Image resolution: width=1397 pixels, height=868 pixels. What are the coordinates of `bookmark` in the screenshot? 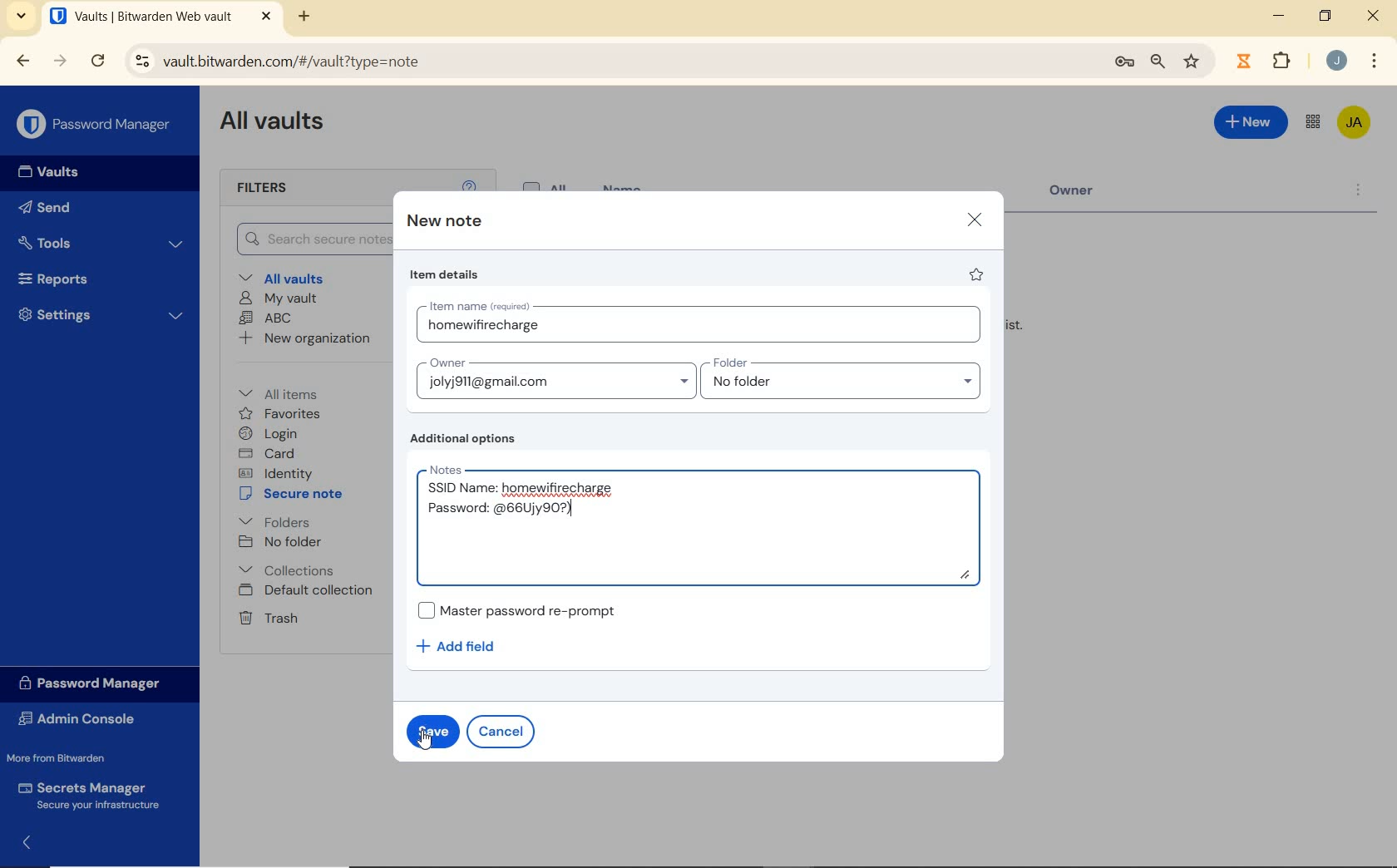 It's located at (1193, 62).